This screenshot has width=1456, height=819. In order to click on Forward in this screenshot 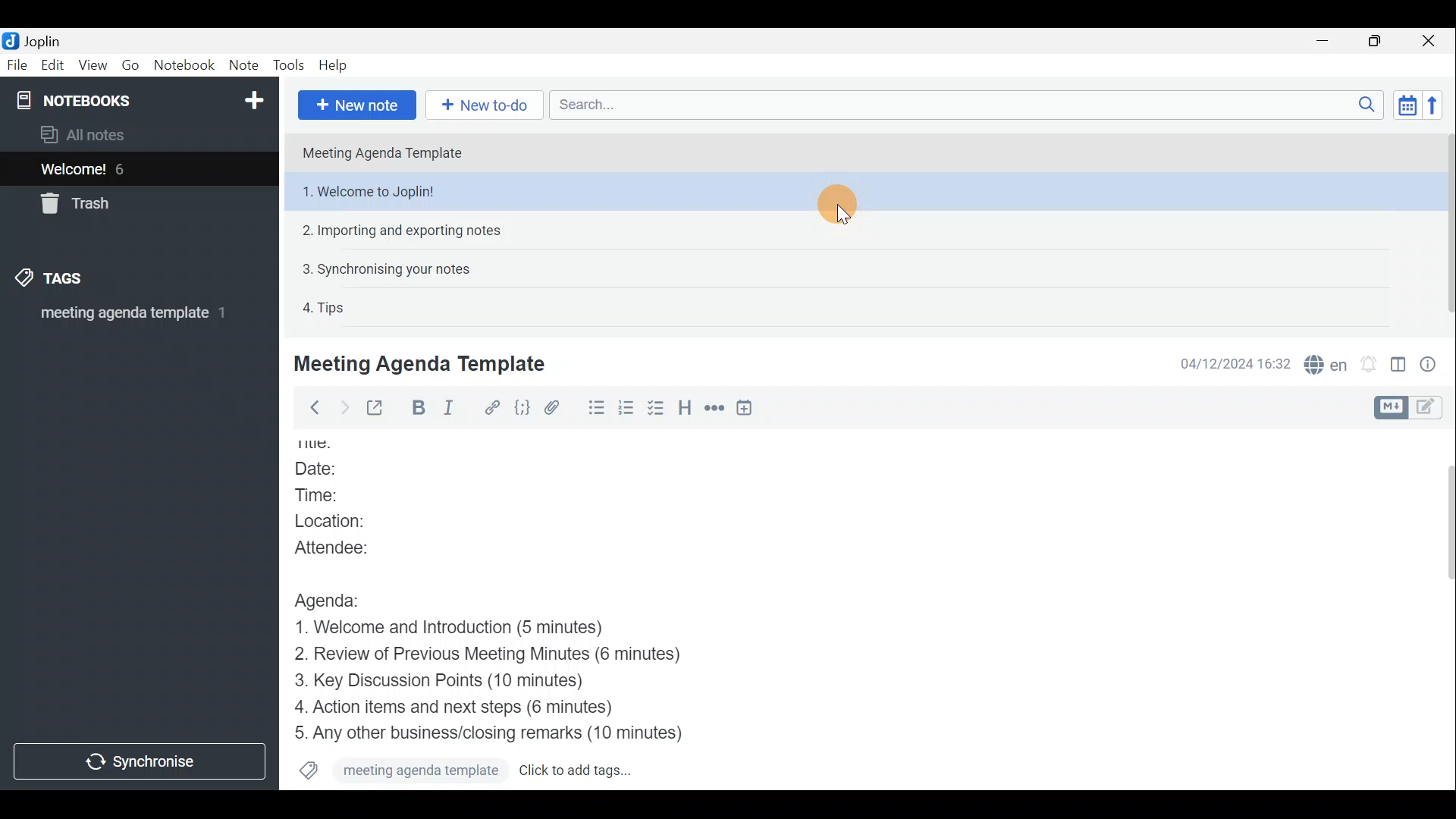, I will do `click(342, 407)`.